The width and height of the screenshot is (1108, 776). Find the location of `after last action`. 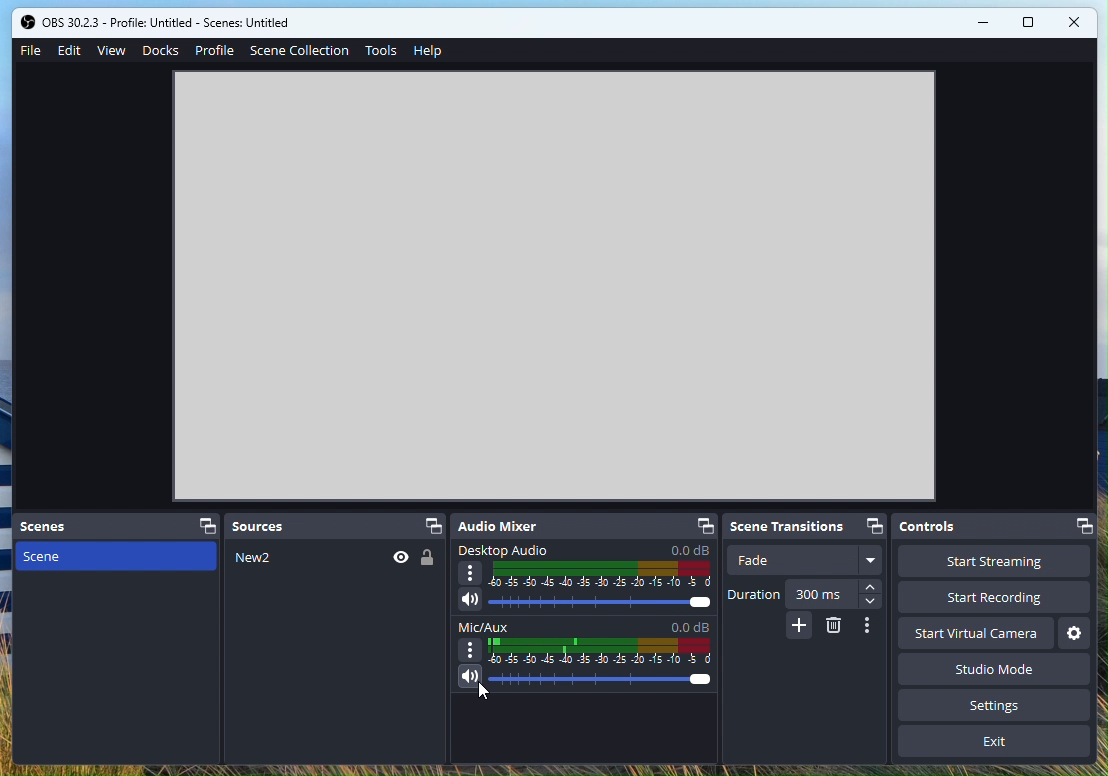

after last action is located at coordinates (588, 655).